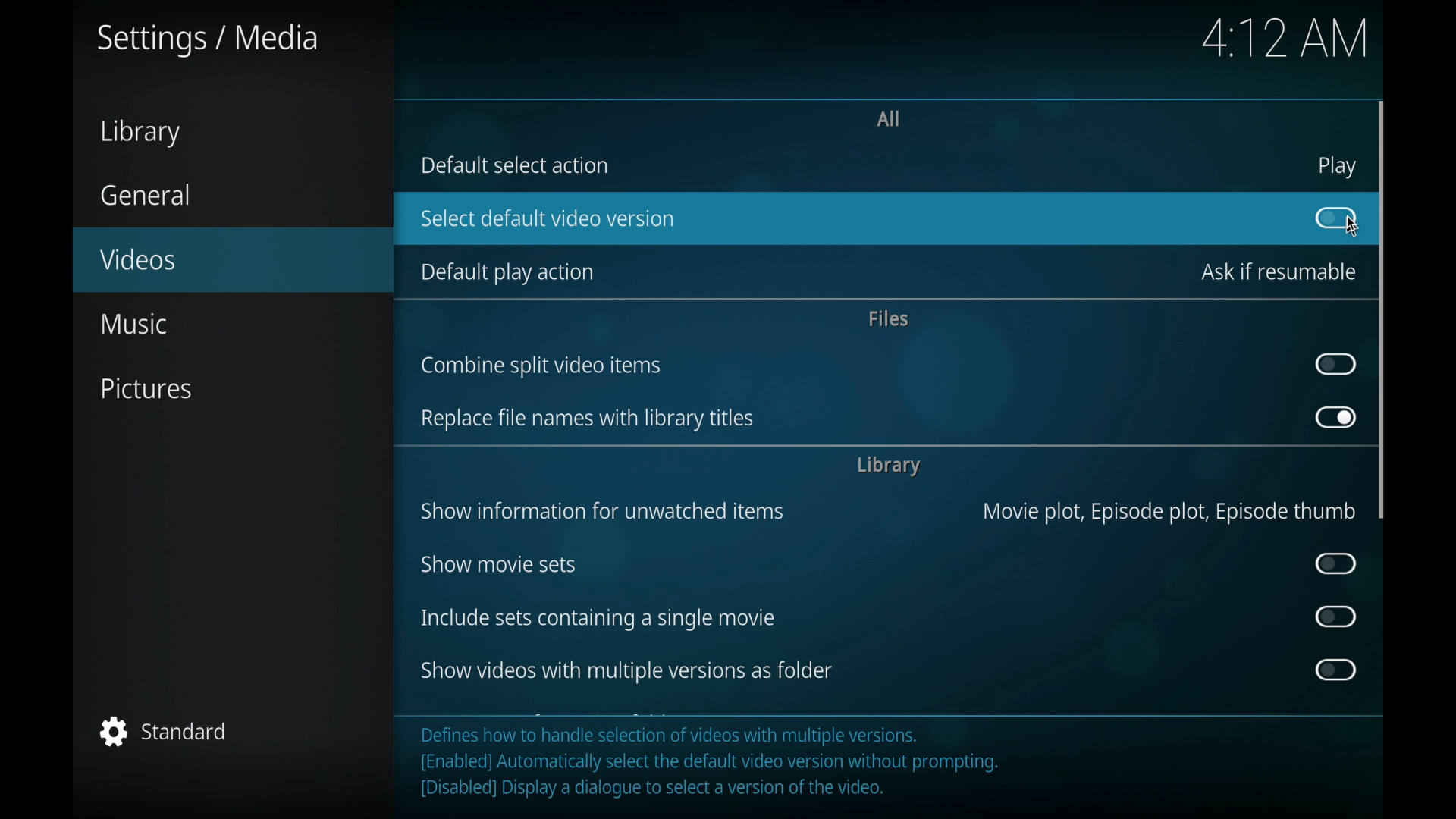  I want to click on toggle button, so click(1338, 366).